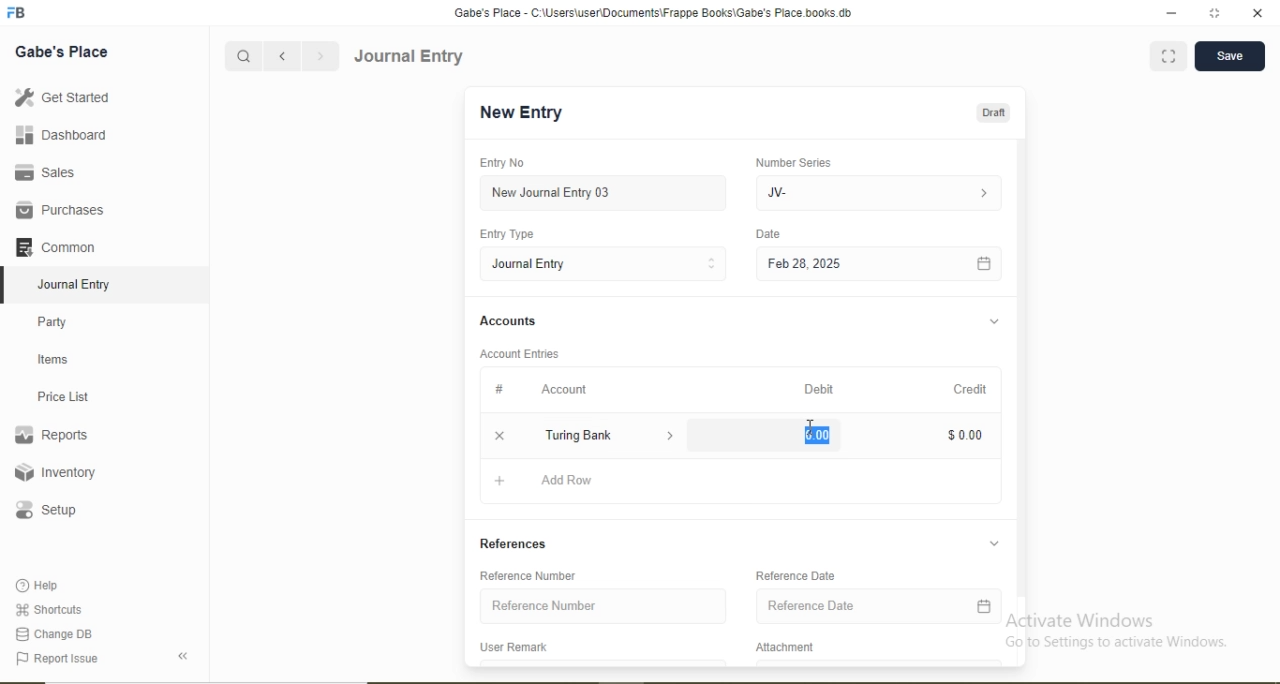 Image resolution: width=1280 pixels, height=684 pixels. I want to click on Turing Bank, so click(582, 434).